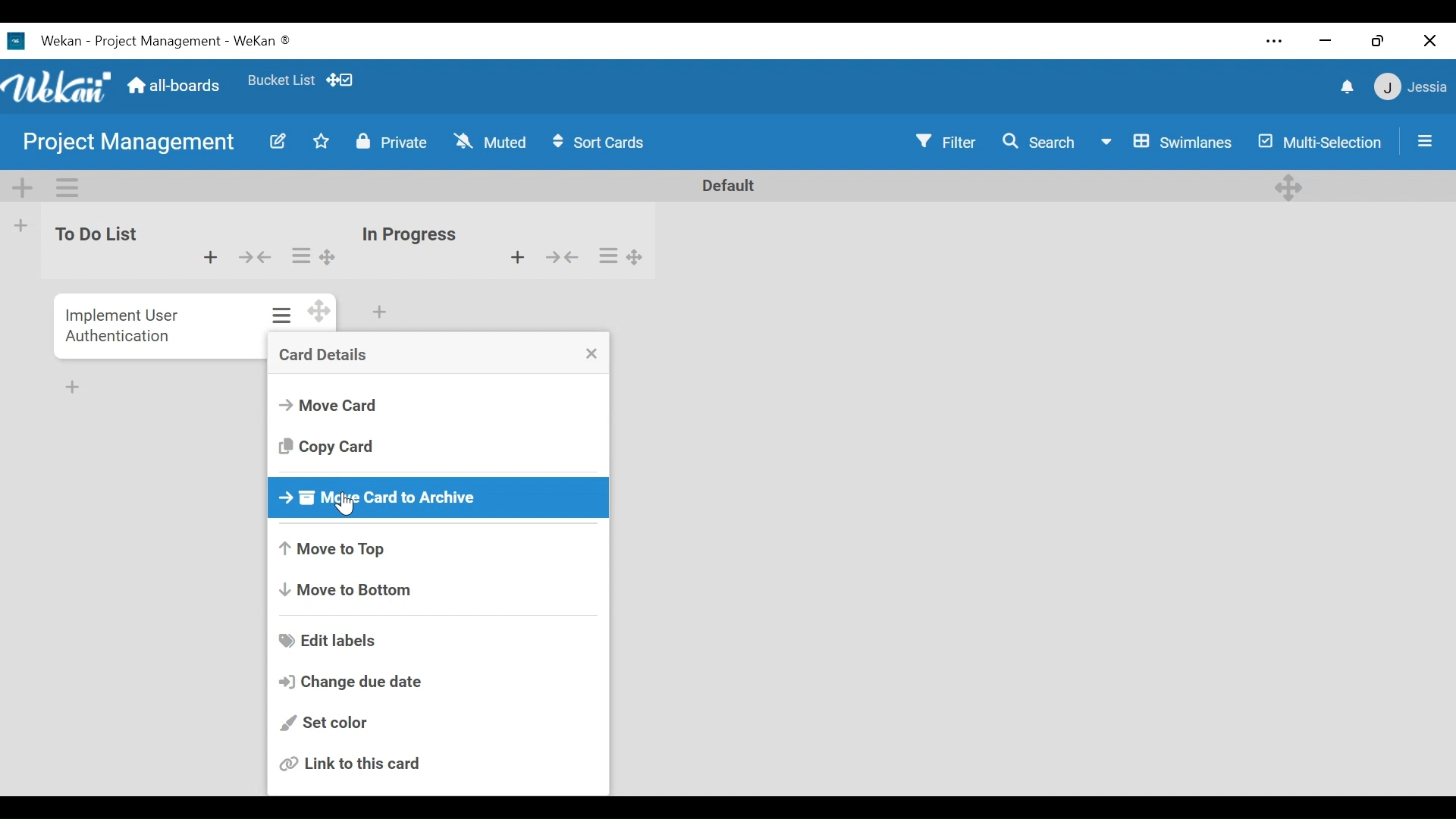 This screenshot has width=1456, height=819. I want to click on Board View, so click(1169, 143).